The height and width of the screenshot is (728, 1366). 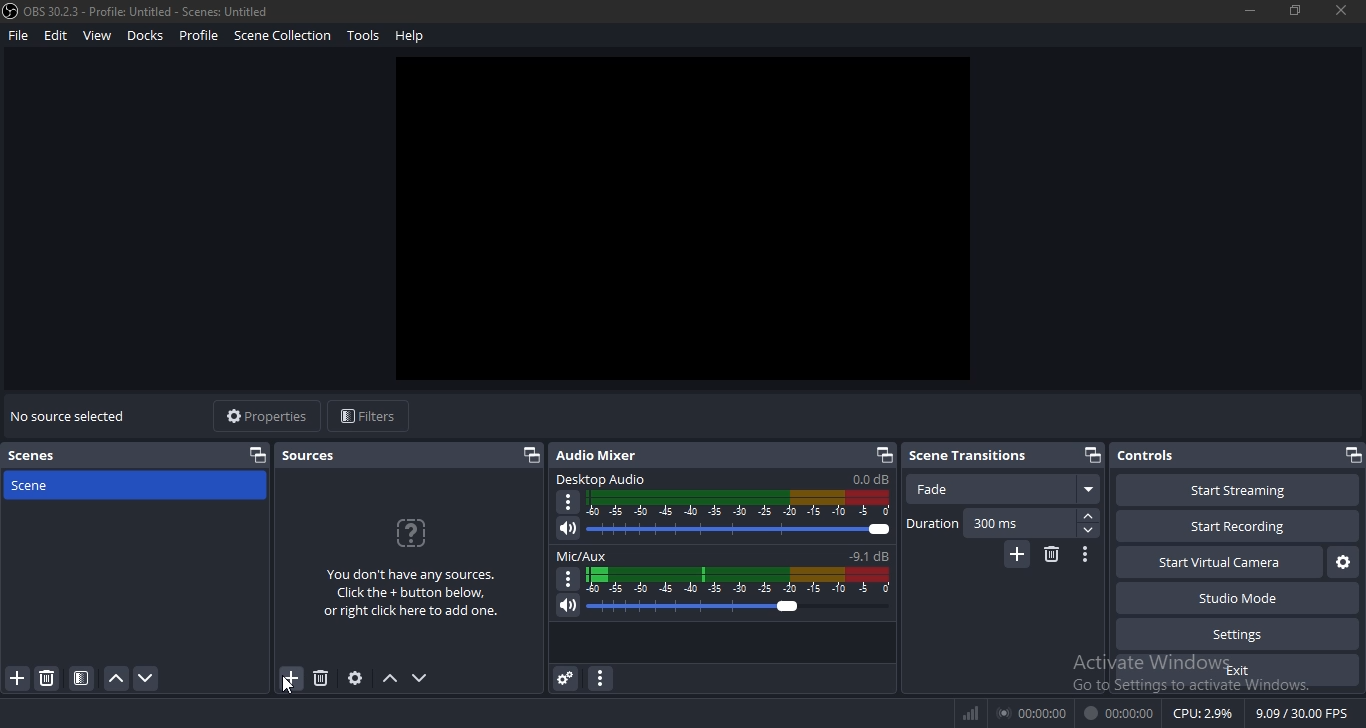 What do you see at coordinates (1296, 10) in the screenshot?
I see `restore windows` at bounding box center [1296, 10].